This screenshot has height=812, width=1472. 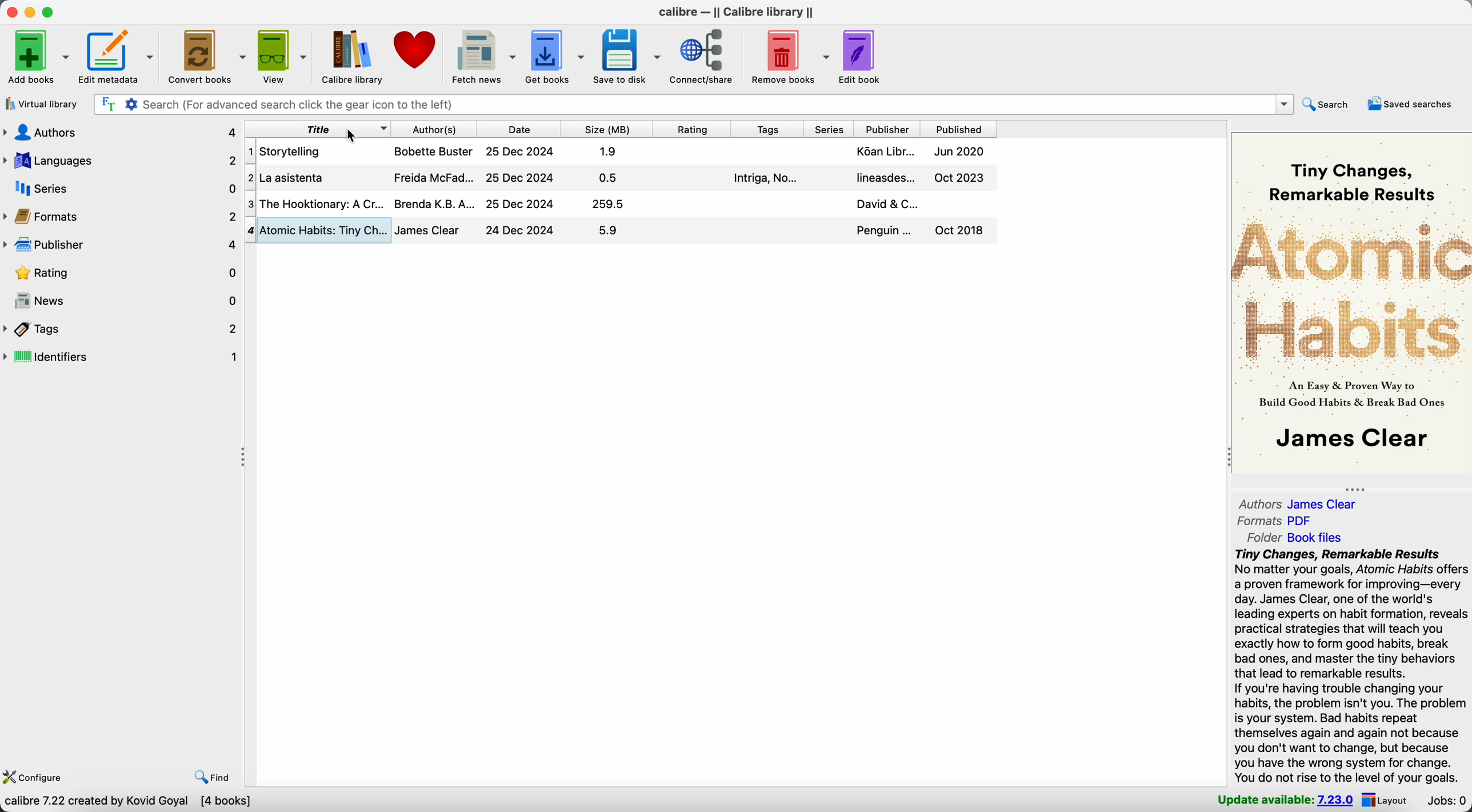 I want to click on 25 Dec 2024, so click(x=519, y=151).